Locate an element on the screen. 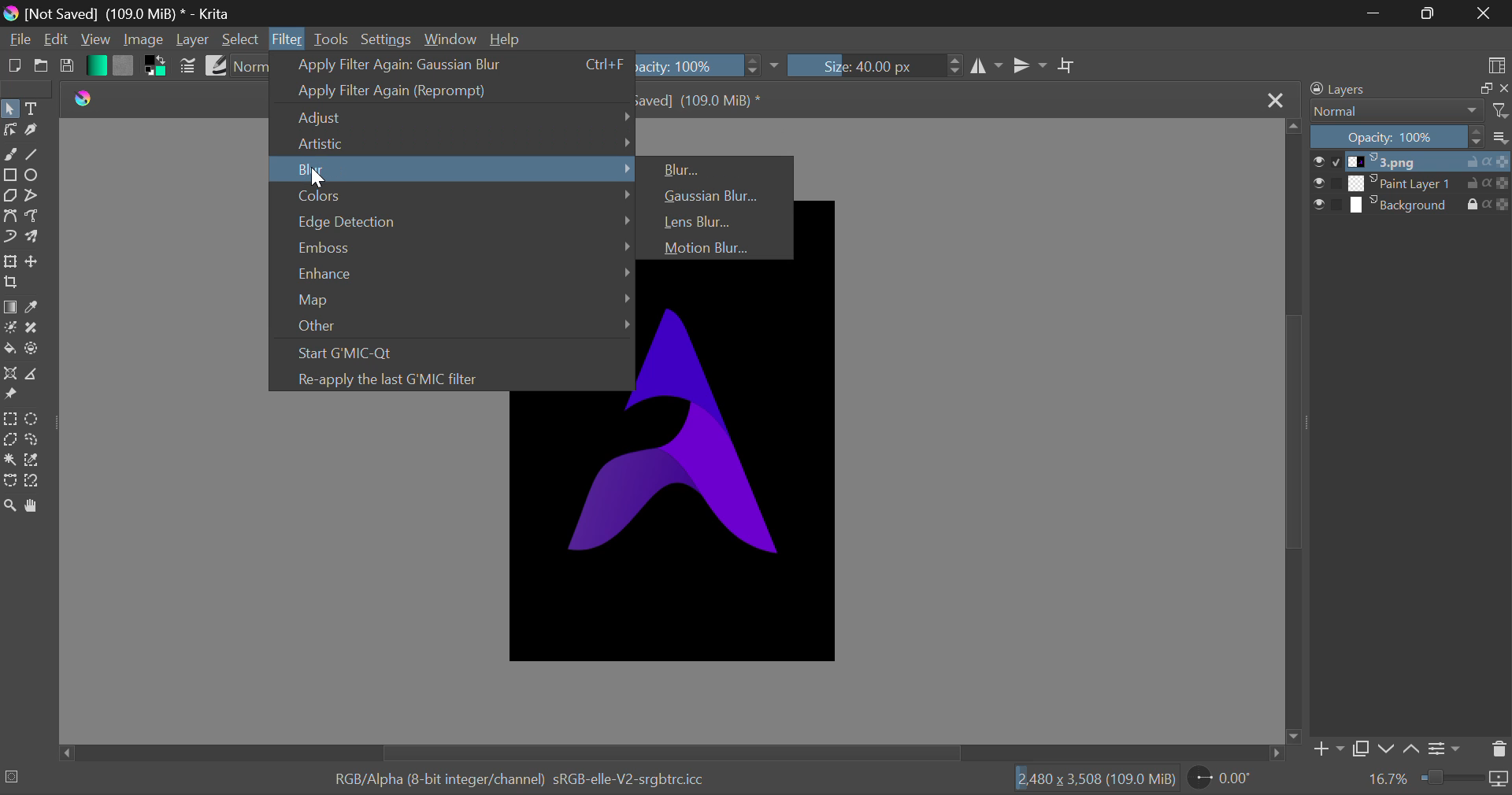 The height and width of the screenshot is (795, 1512). Layers is located at coordinates (1405, 89).